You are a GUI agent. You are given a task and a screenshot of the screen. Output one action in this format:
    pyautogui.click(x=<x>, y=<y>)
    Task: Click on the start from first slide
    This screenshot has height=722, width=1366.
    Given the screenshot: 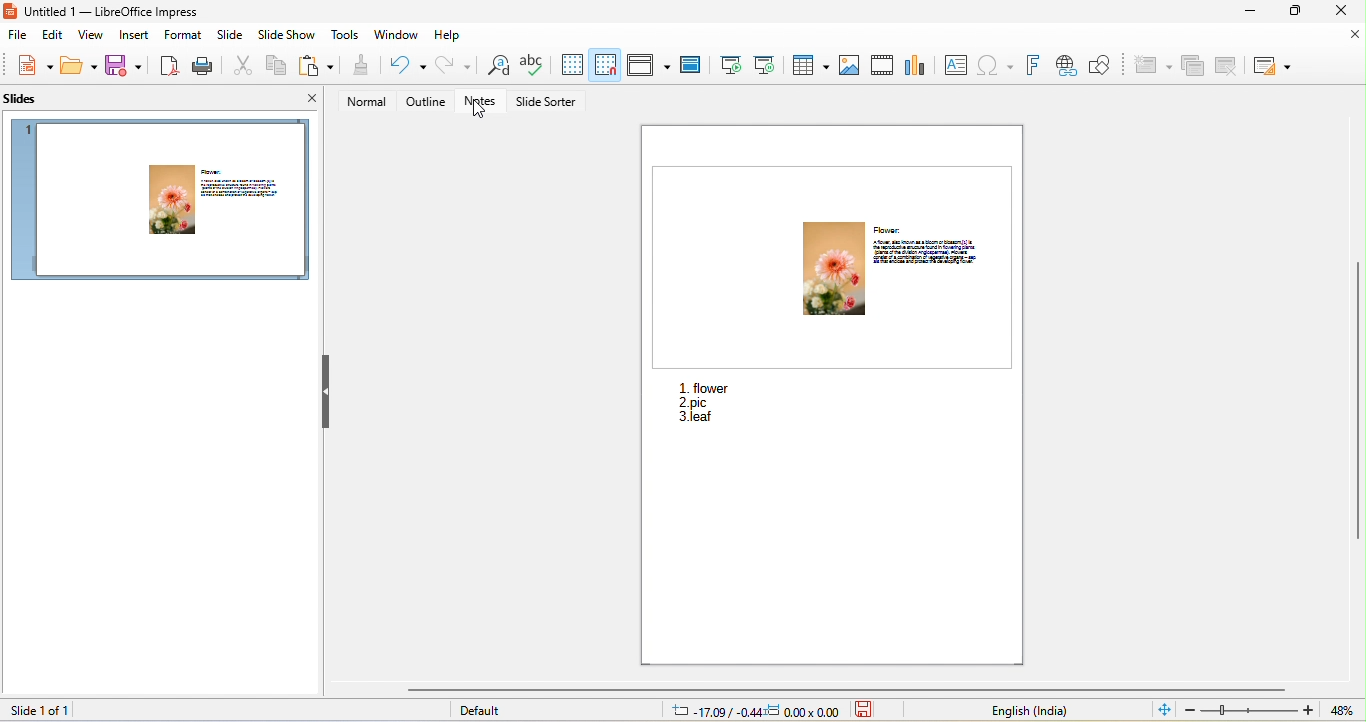 What is the action you would take?
    pyautogui.click(x=726, y=67)
    